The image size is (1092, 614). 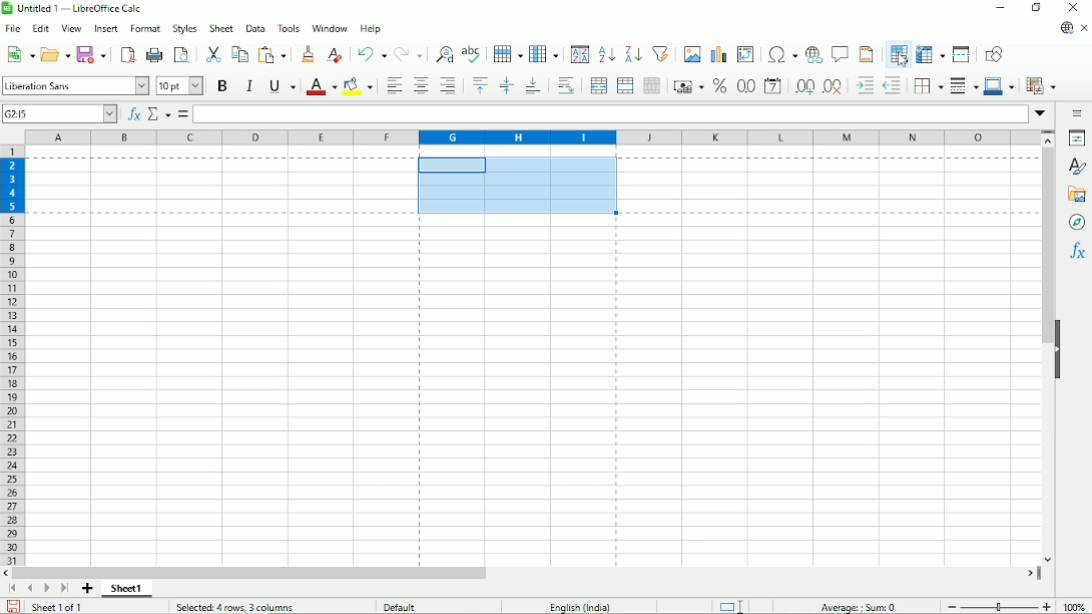 What do you see at coordinates (223, 27) in the screenshot?
I see `Sheet` at bounding box center [223, 27].